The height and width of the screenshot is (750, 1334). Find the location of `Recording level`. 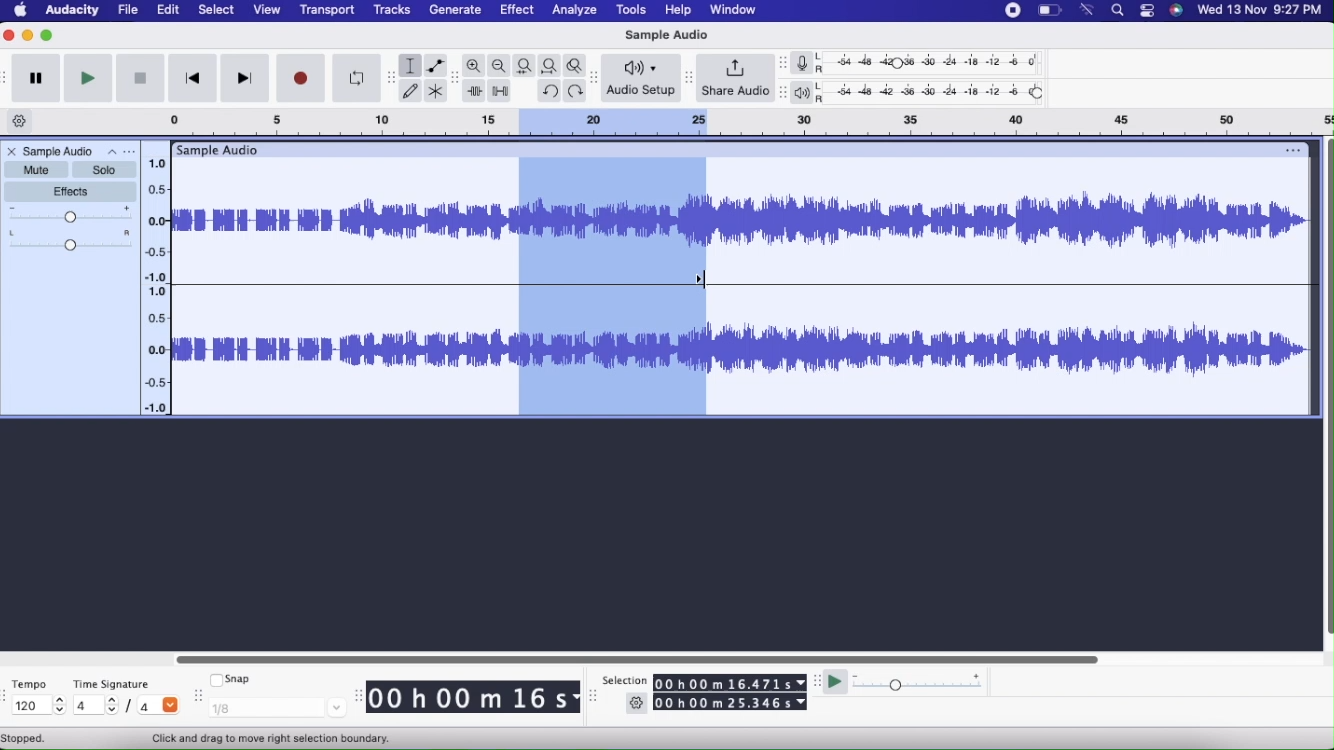

Recording level is located at coordinates (937, 65).